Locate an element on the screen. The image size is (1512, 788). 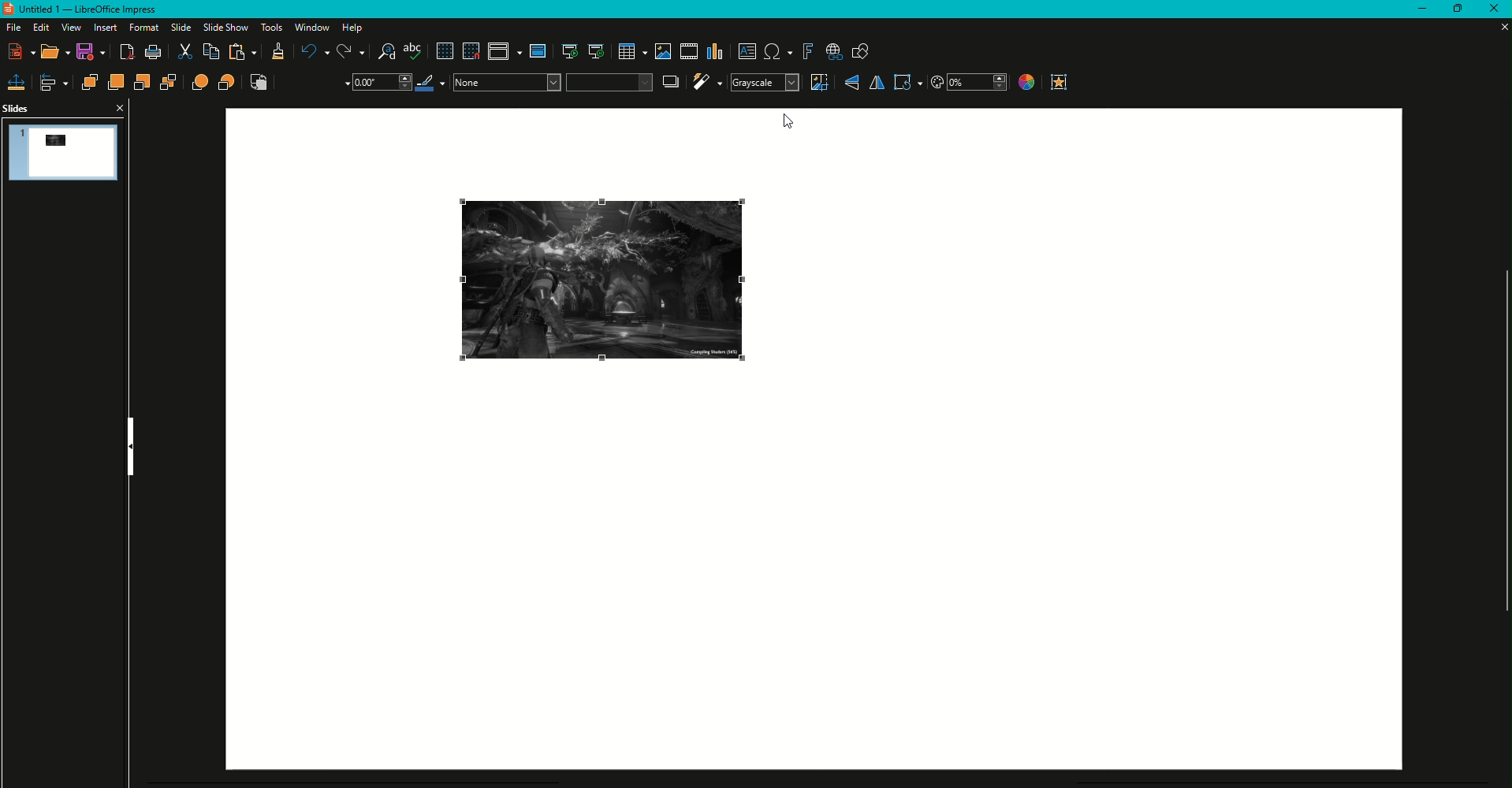
Tools is located at coordinates (269, 28).